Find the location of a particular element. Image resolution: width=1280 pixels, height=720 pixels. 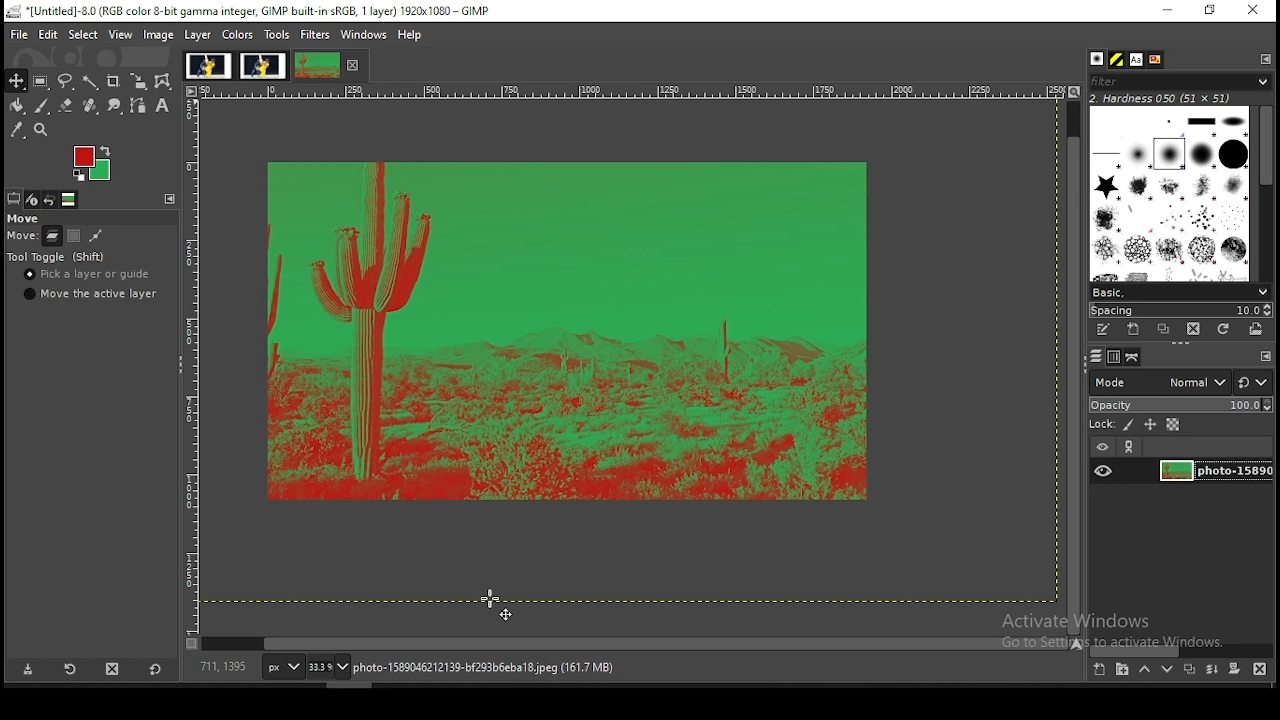

minimize is located at coordinates (1168, 11).